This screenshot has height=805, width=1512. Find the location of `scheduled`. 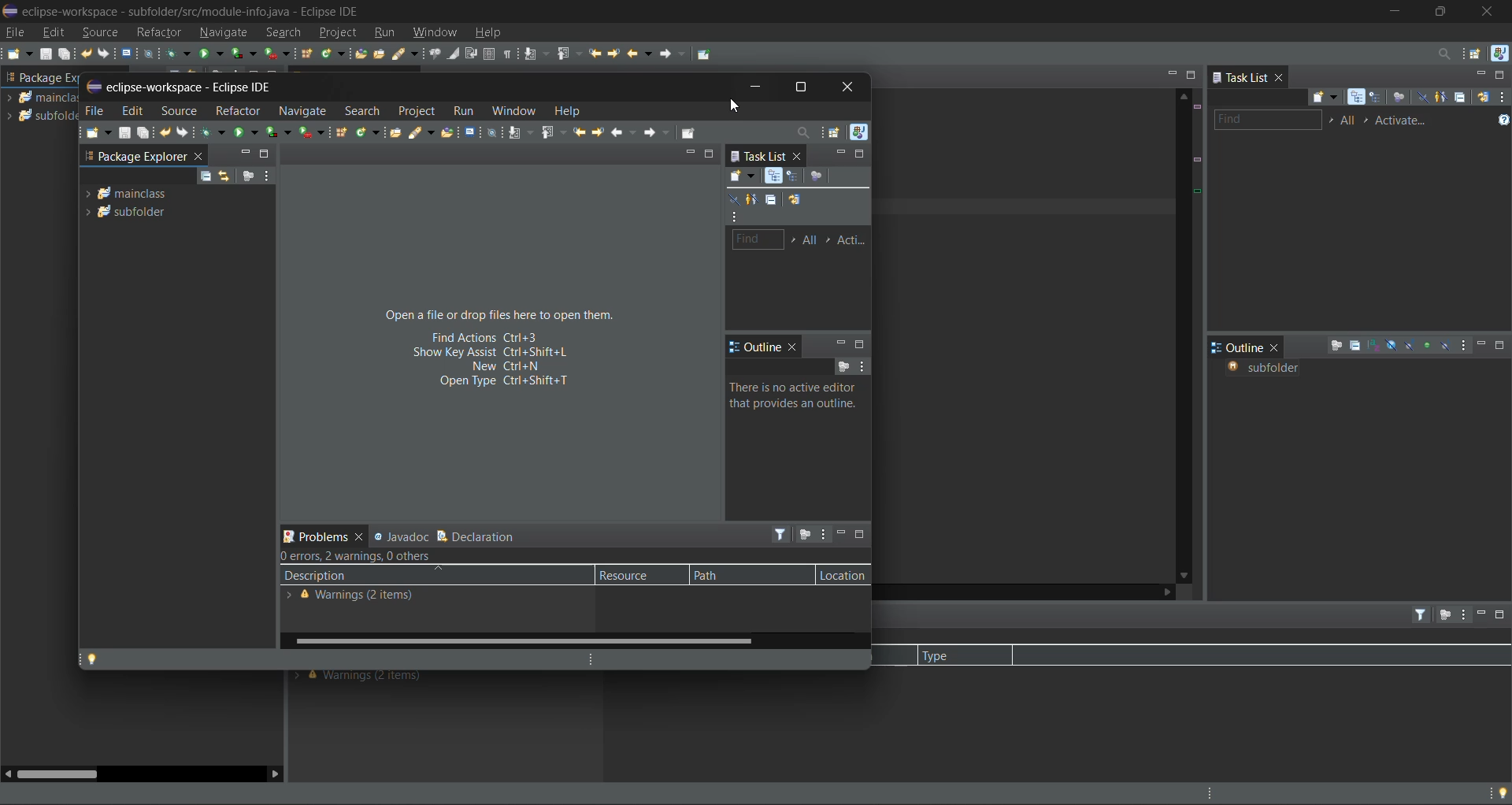

scheduled is located at coordinates (1377, 98).